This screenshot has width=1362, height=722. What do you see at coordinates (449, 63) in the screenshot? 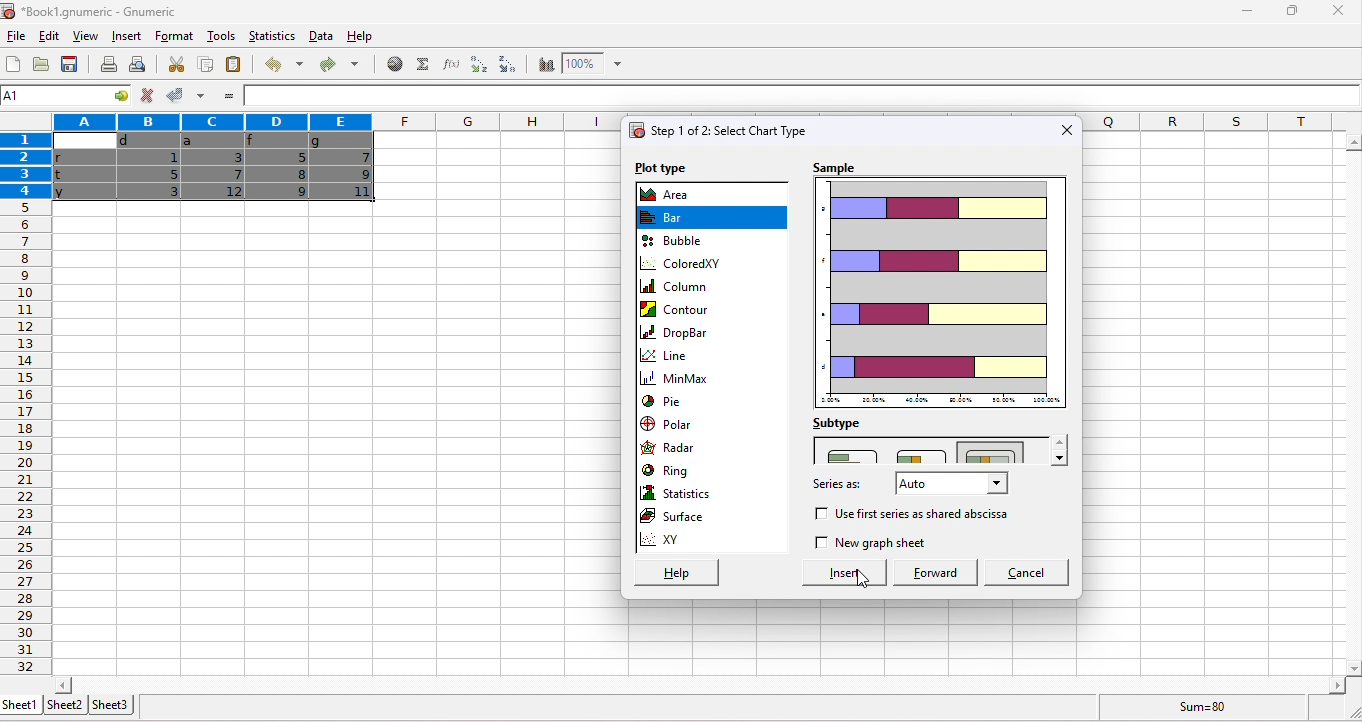
I see `function wizard` at bounding box center [449, 63].